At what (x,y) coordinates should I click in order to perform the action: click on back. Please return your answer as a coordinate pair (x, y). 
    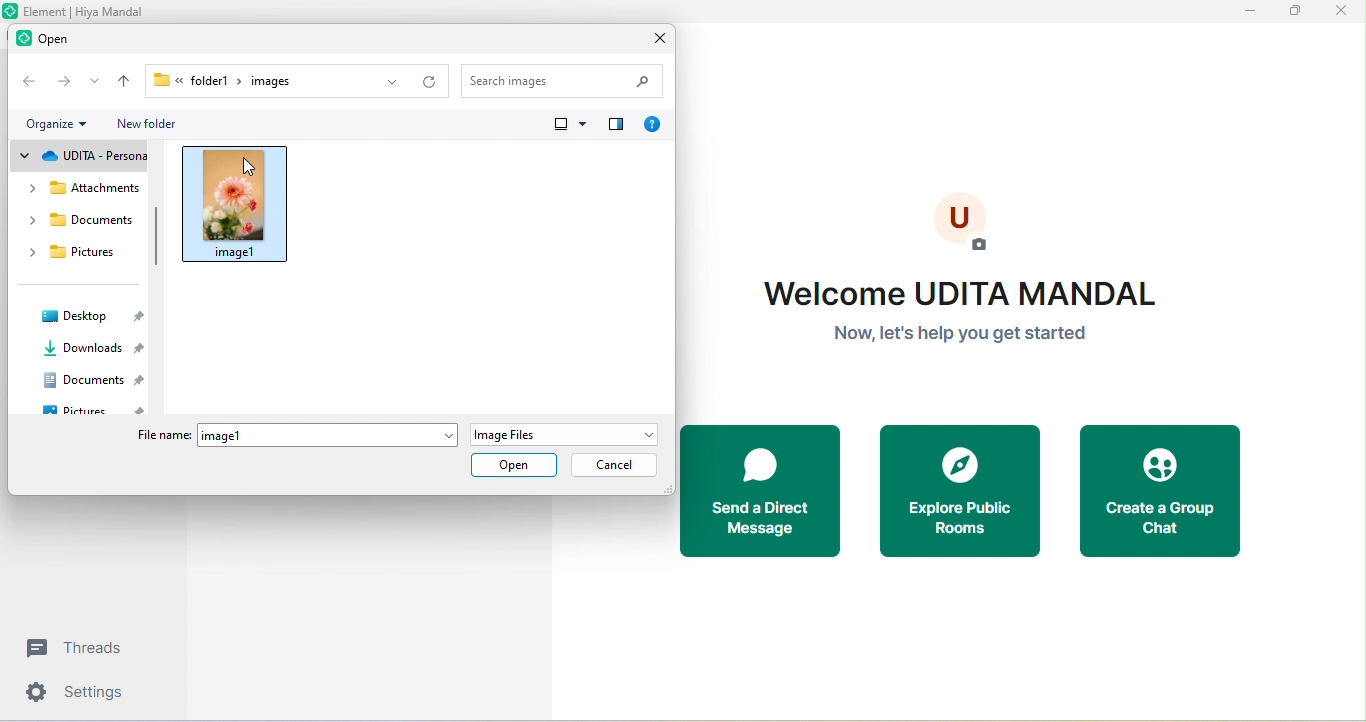
    Looking at the image, I should click on (25, 82).